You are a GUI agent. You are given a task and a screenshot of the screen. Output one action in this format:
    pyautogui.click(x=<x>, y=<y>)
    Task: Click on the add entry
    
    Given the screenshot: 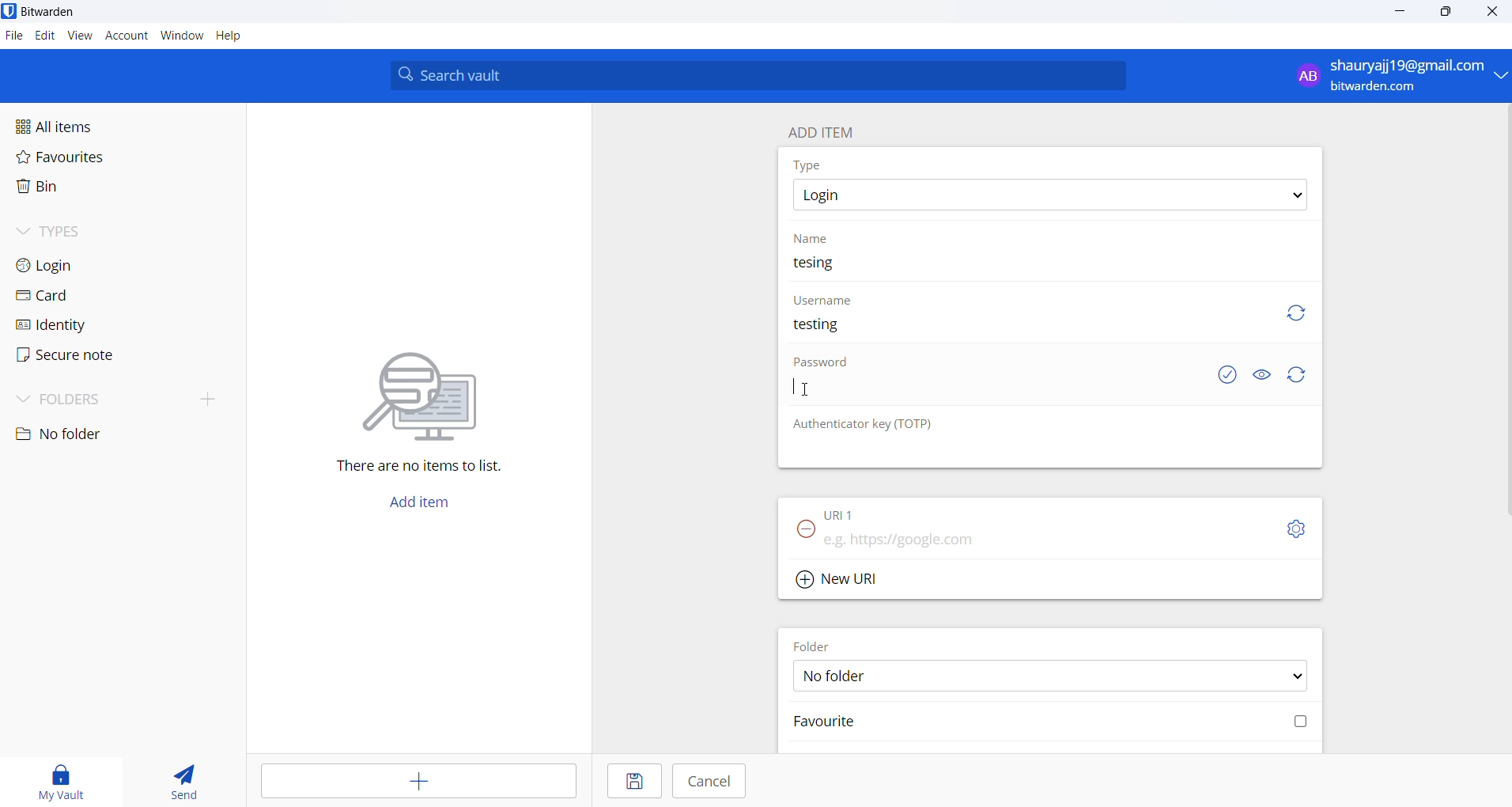 What is the action you would take?
    pyautogui.click(x=421, y=782)
    